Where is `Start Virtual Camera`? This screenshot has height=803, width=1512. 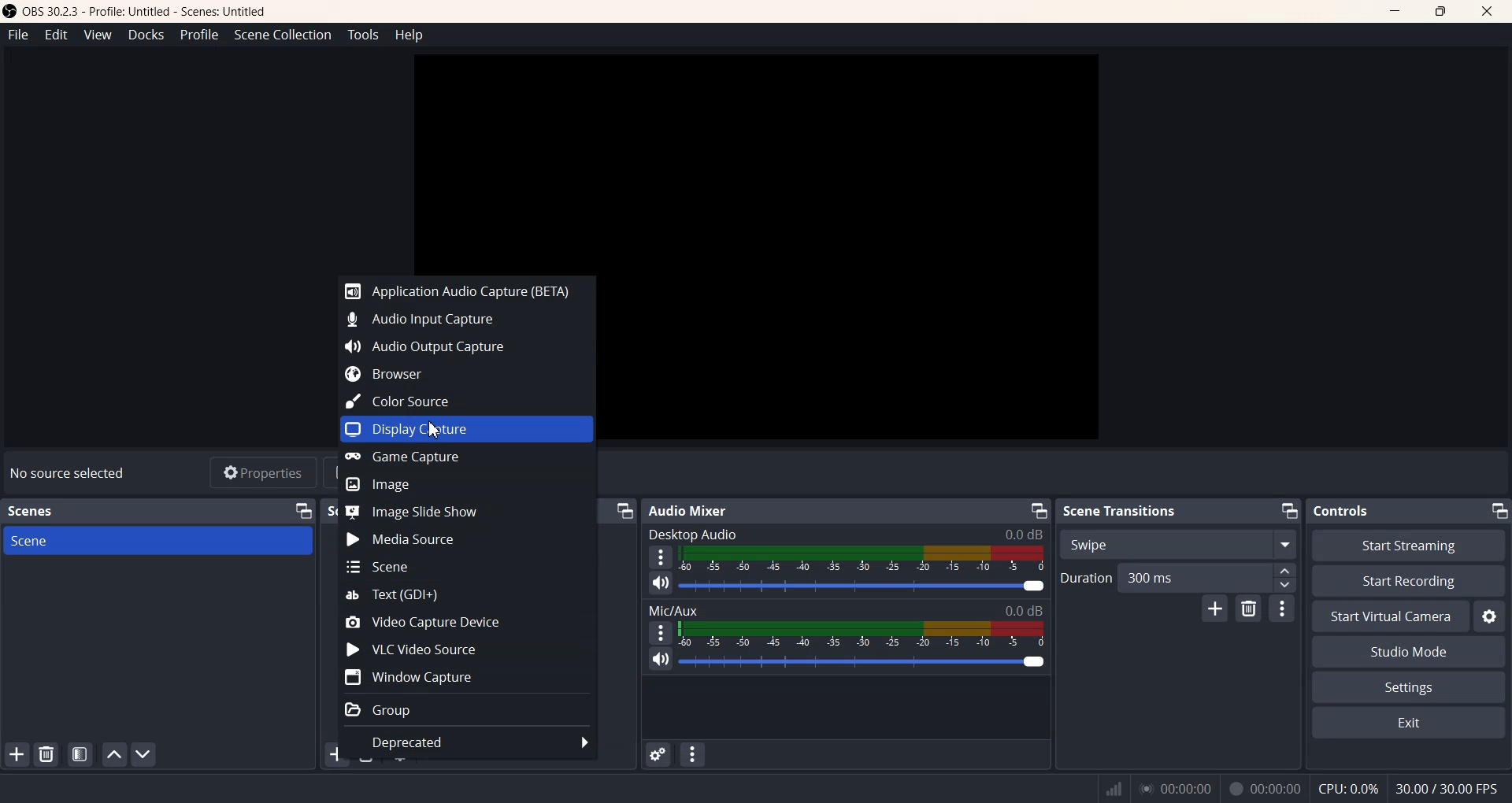 Start Virtual Camera is located at coordinates (1390, 616).